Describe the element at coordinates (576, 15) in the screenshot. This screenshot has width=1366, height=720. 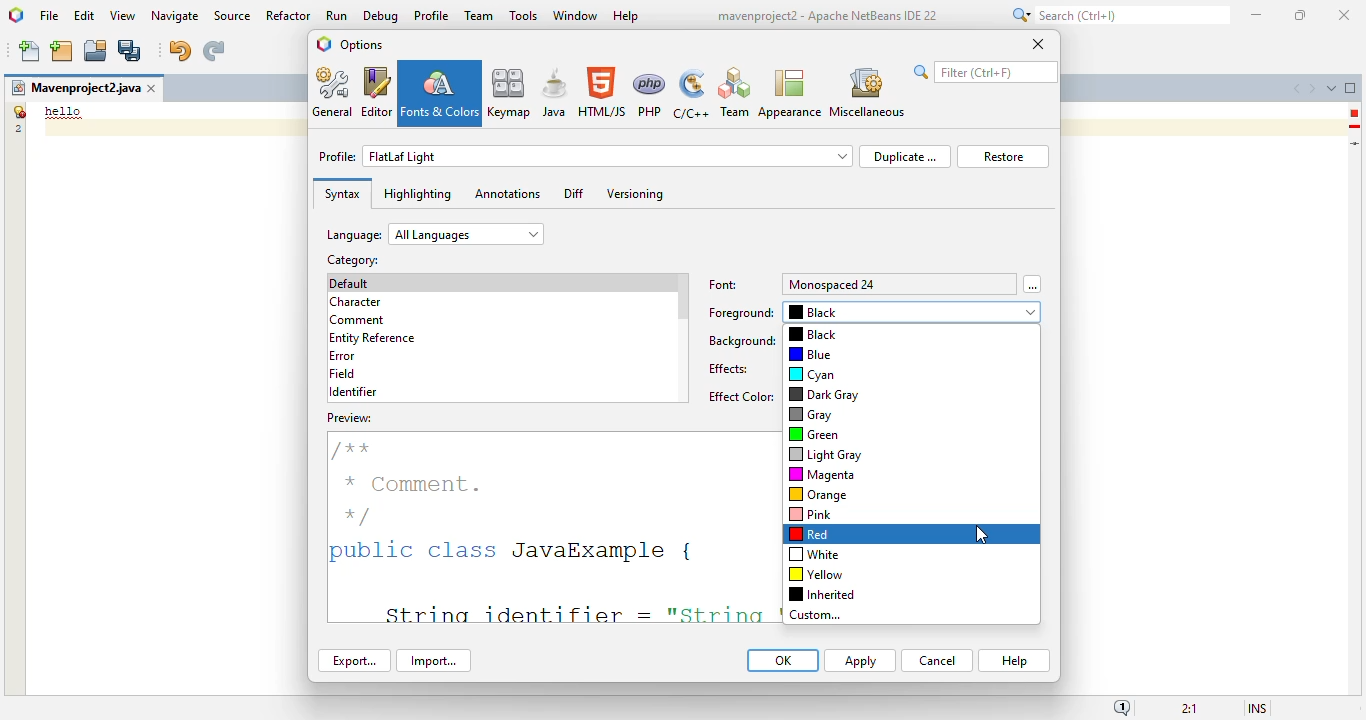
I see `window` at that location.